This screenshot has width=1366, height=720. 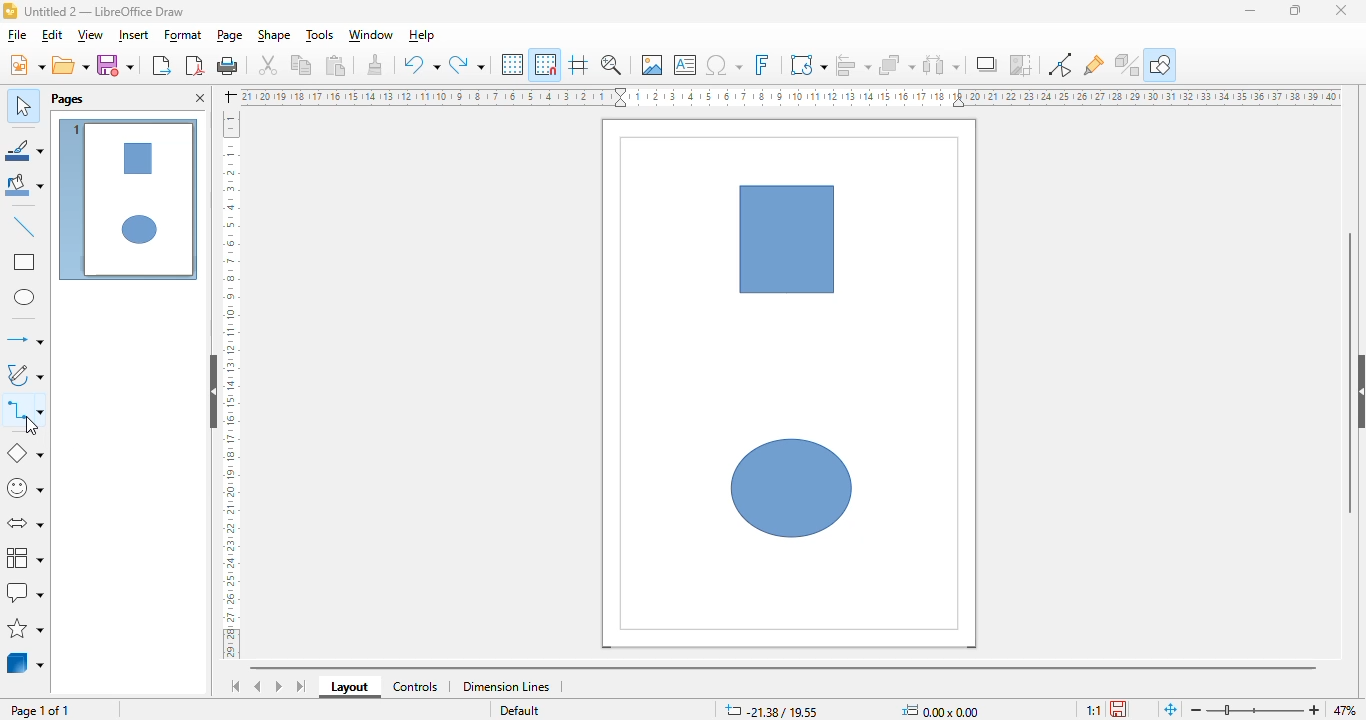 I want to click on show draw functions, so click(x=1163, y=63).